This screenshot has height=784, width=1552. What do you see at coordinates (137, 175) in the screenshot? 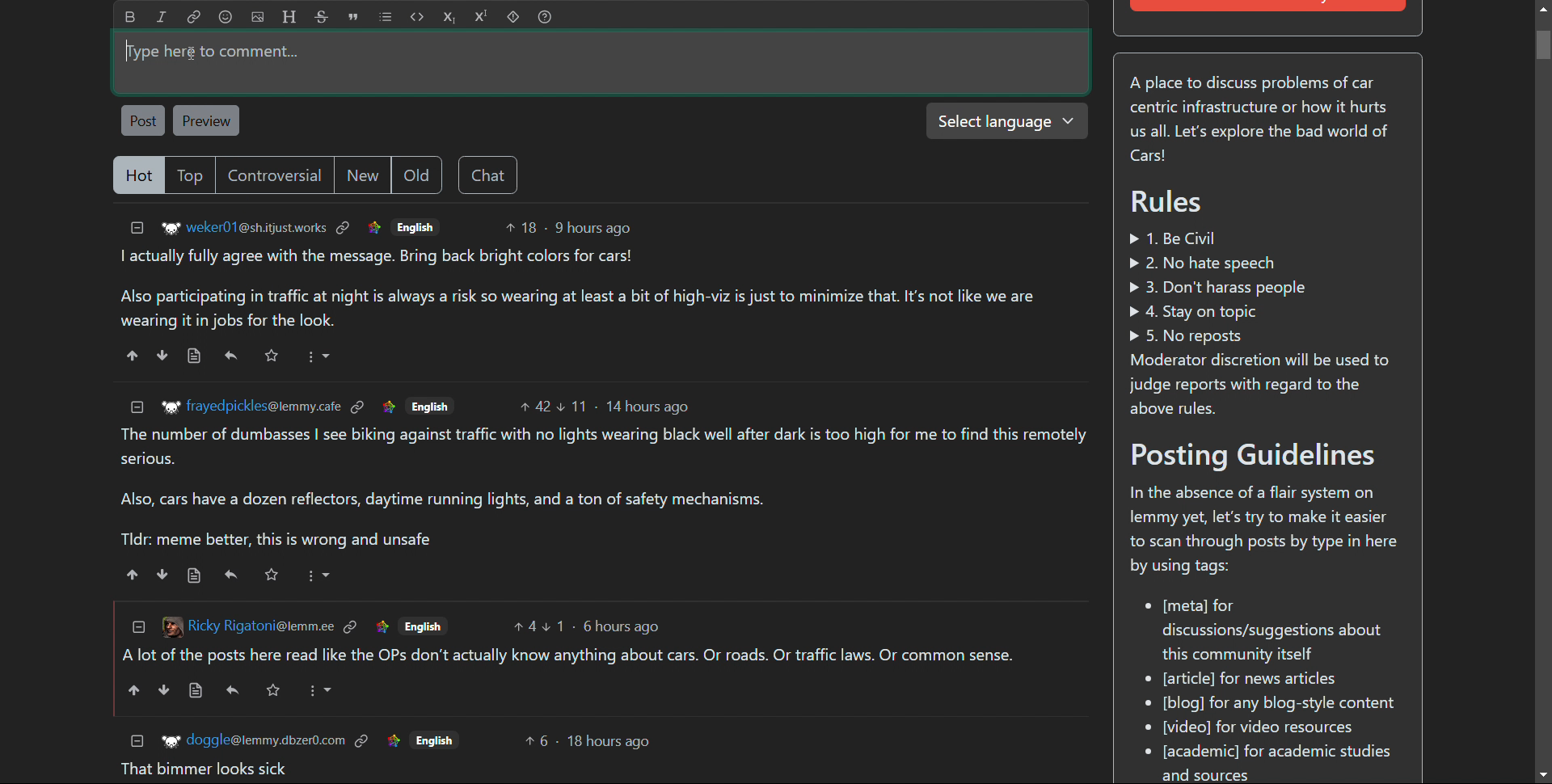
I see `hot` at bounding box center [137, 175].